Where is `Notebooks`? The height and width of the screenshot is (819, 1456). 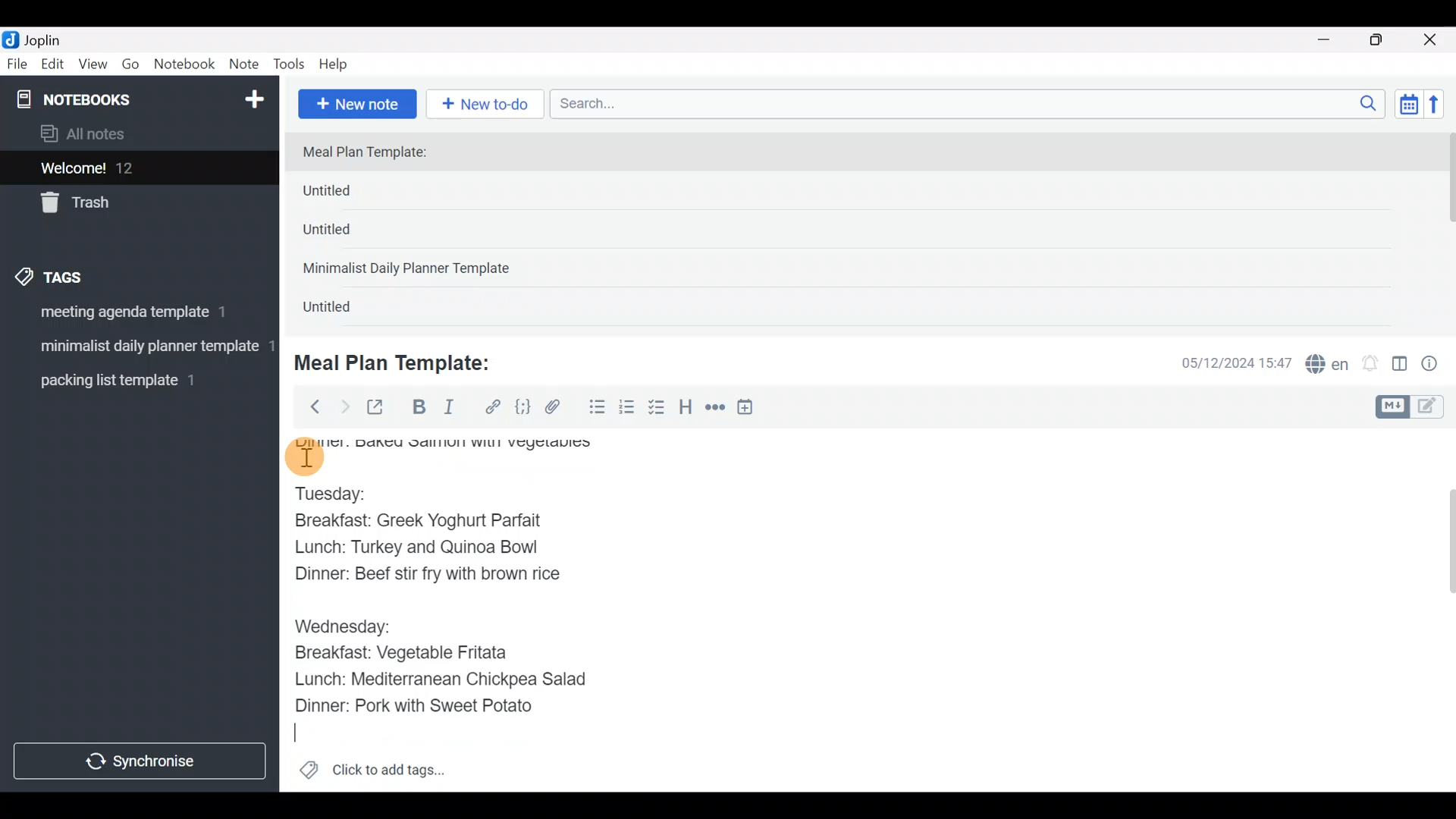
Notebooks is located at coordinates (107, 99).